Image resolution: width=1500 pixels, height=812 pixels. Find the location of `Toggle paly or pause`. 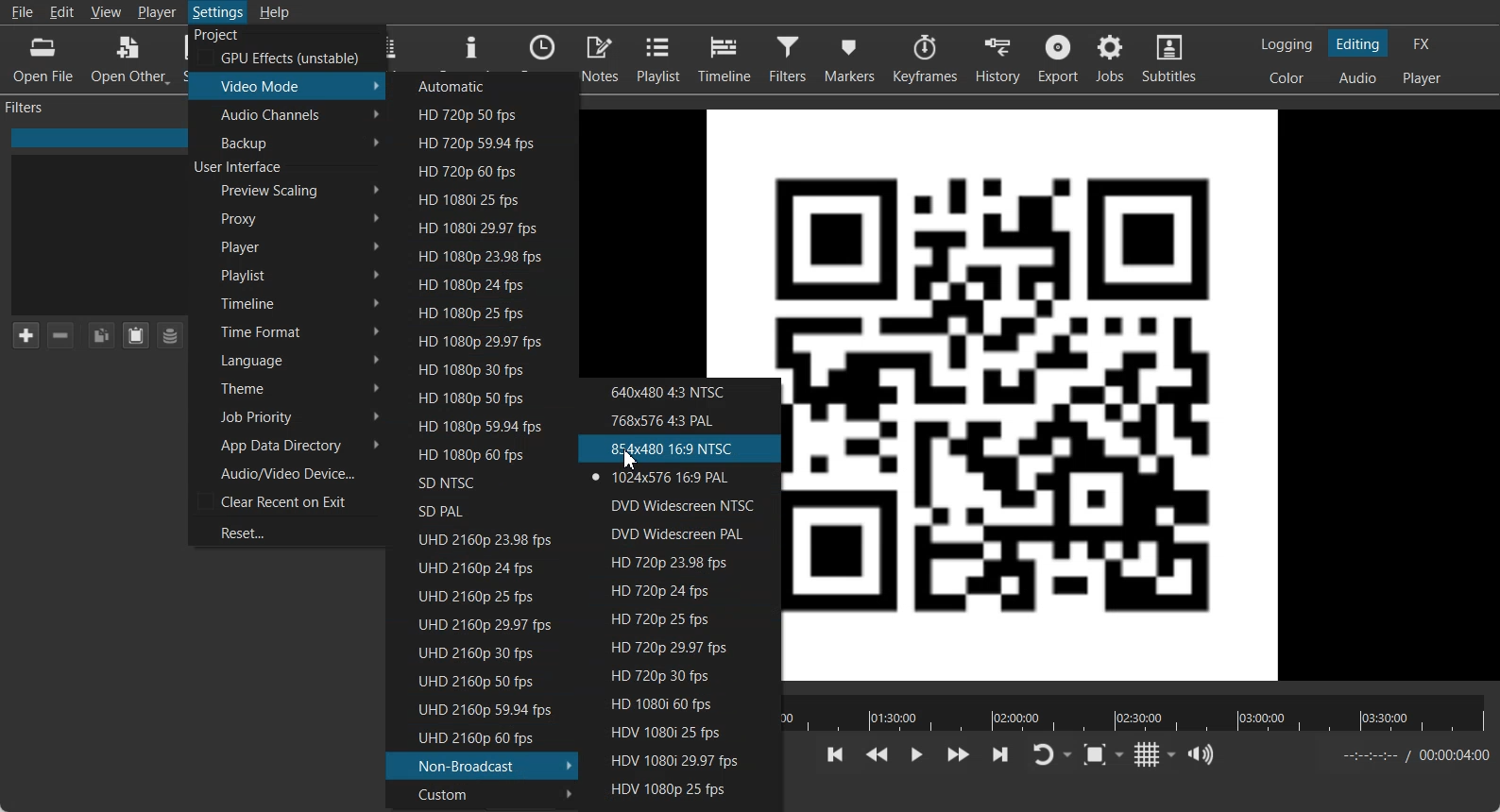

Toggle paly or pause is located at coordinates (915, 755).